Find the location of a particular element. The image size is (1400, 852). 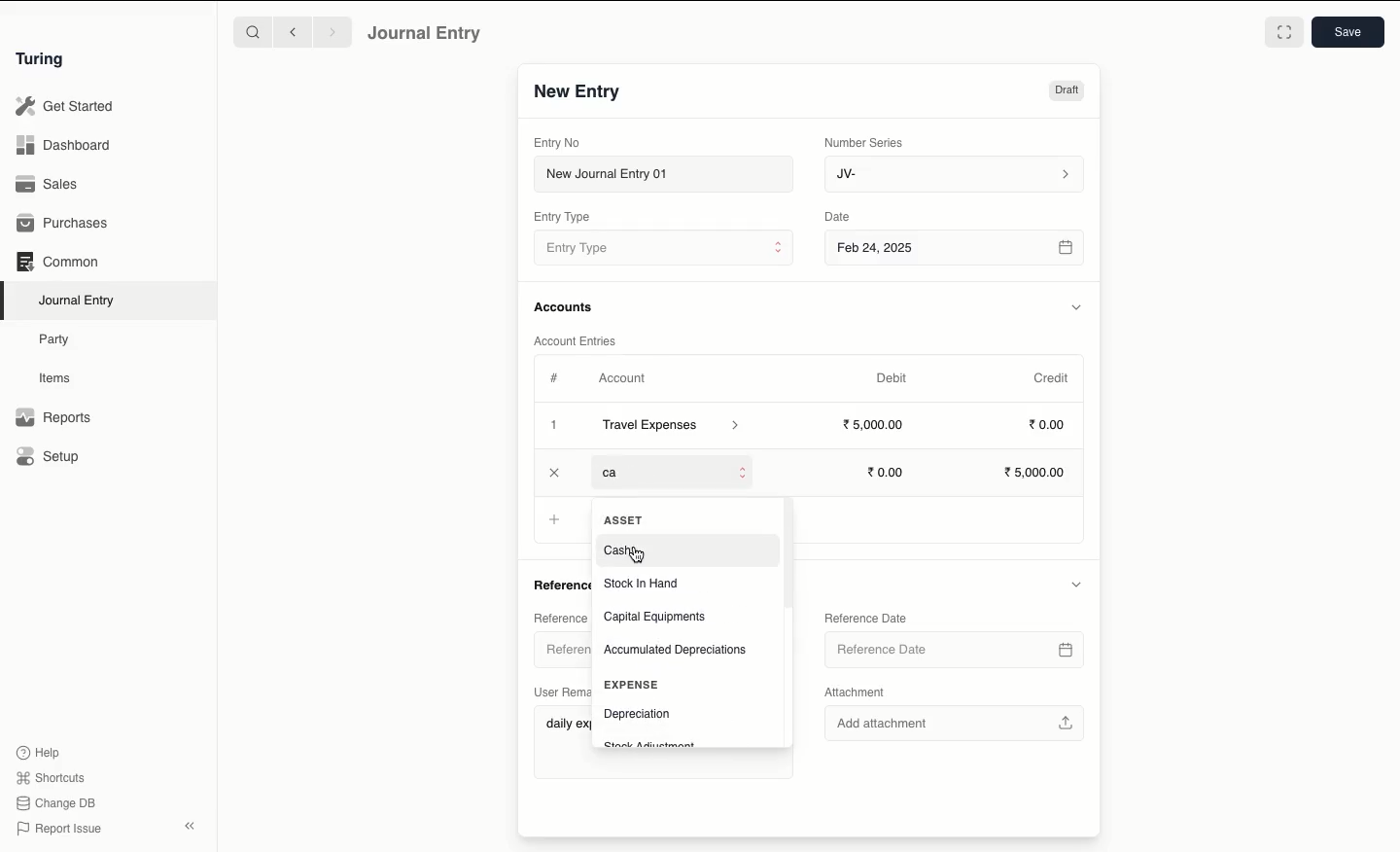

Hashtag is located at coordinates (556, 377).